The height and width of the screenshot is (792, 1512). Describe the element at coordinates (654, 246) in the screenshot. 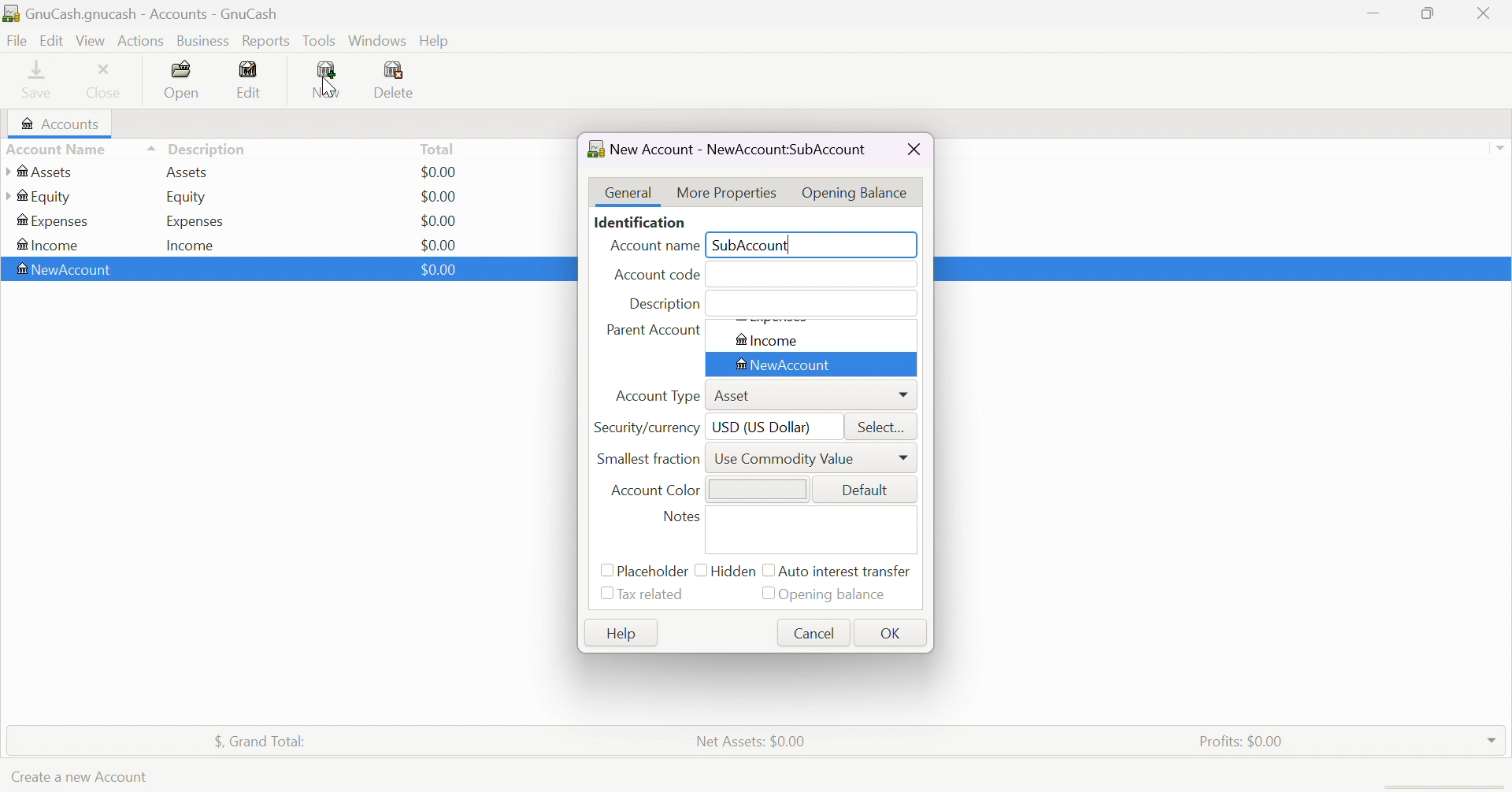

I see `Account name` at that location.